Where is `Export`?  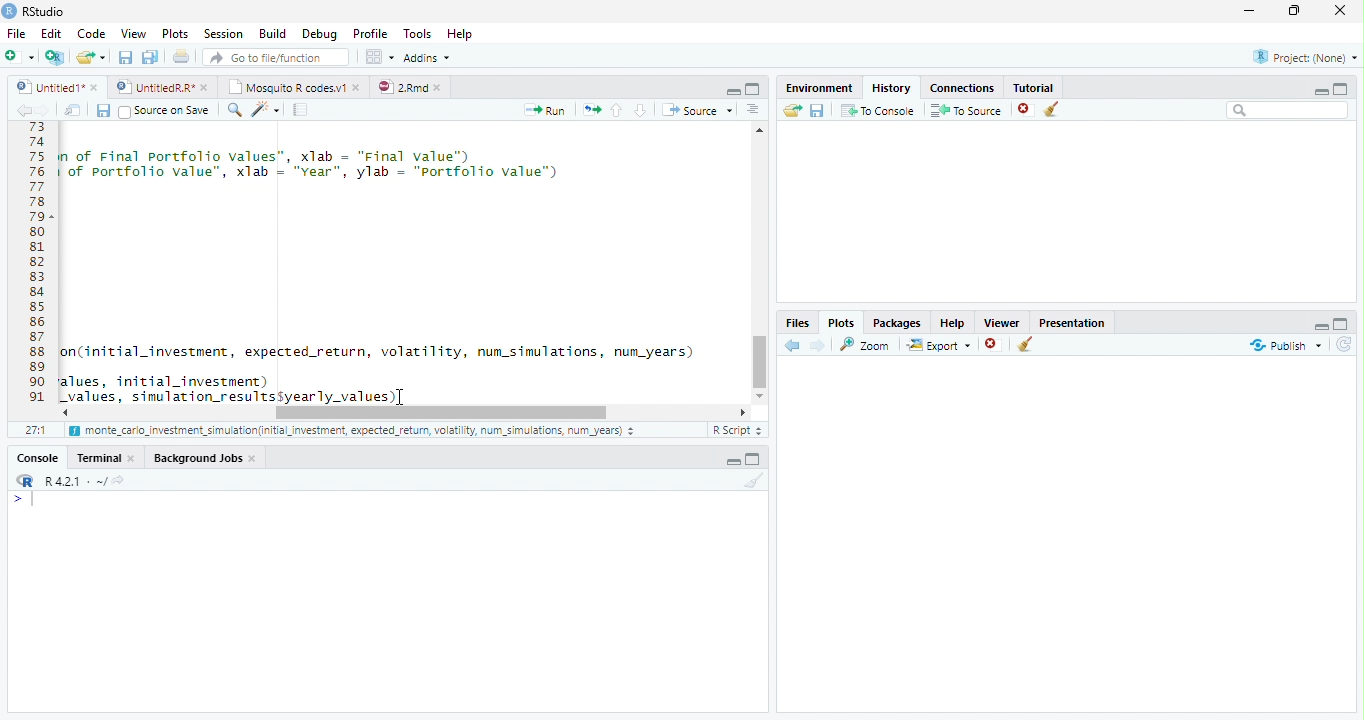
Export is located at coordinates (937, 345).